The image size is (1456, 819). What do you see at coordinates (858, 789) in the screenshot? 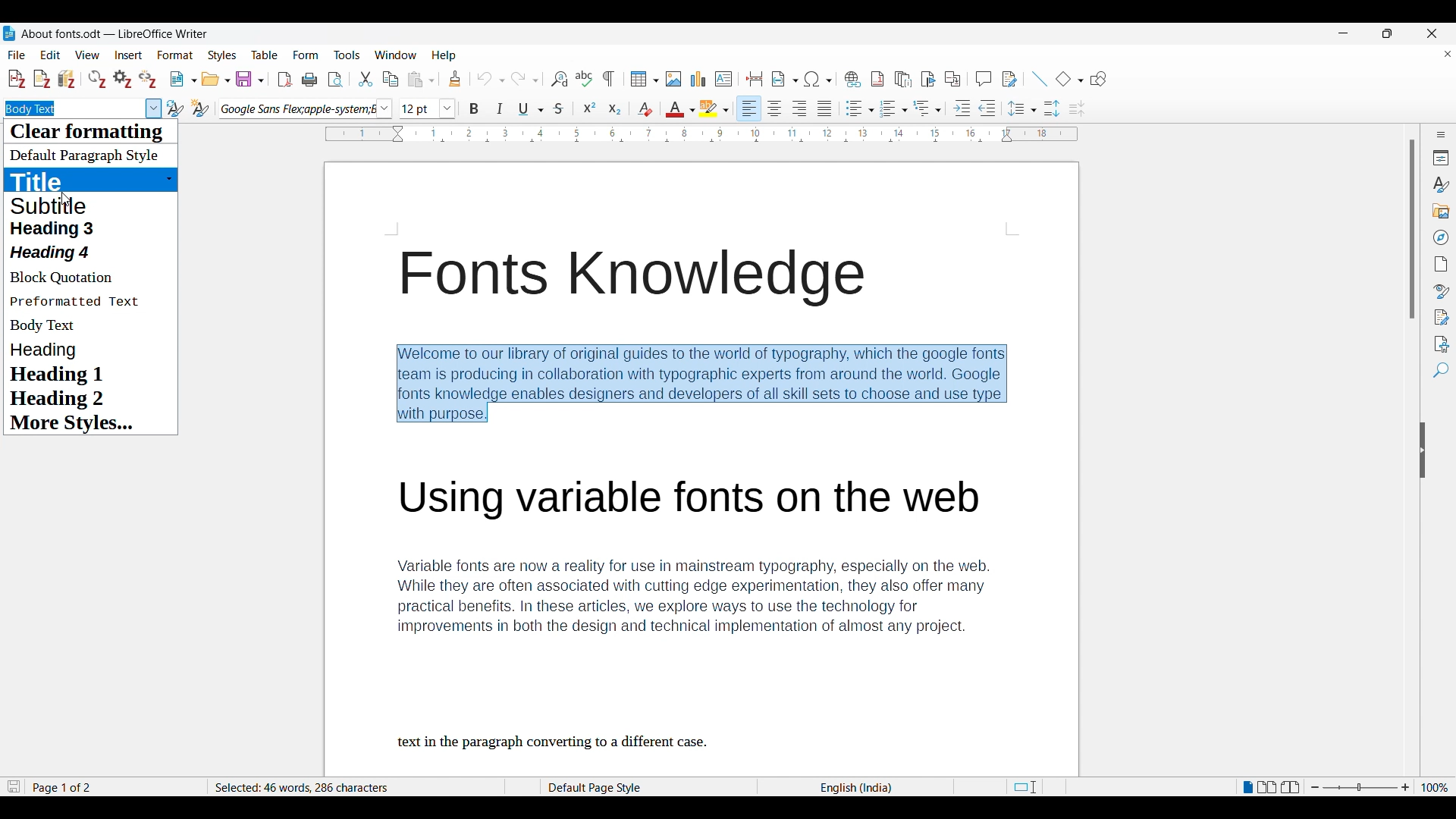
I see `English(India)` at bounding box center [858, 789].